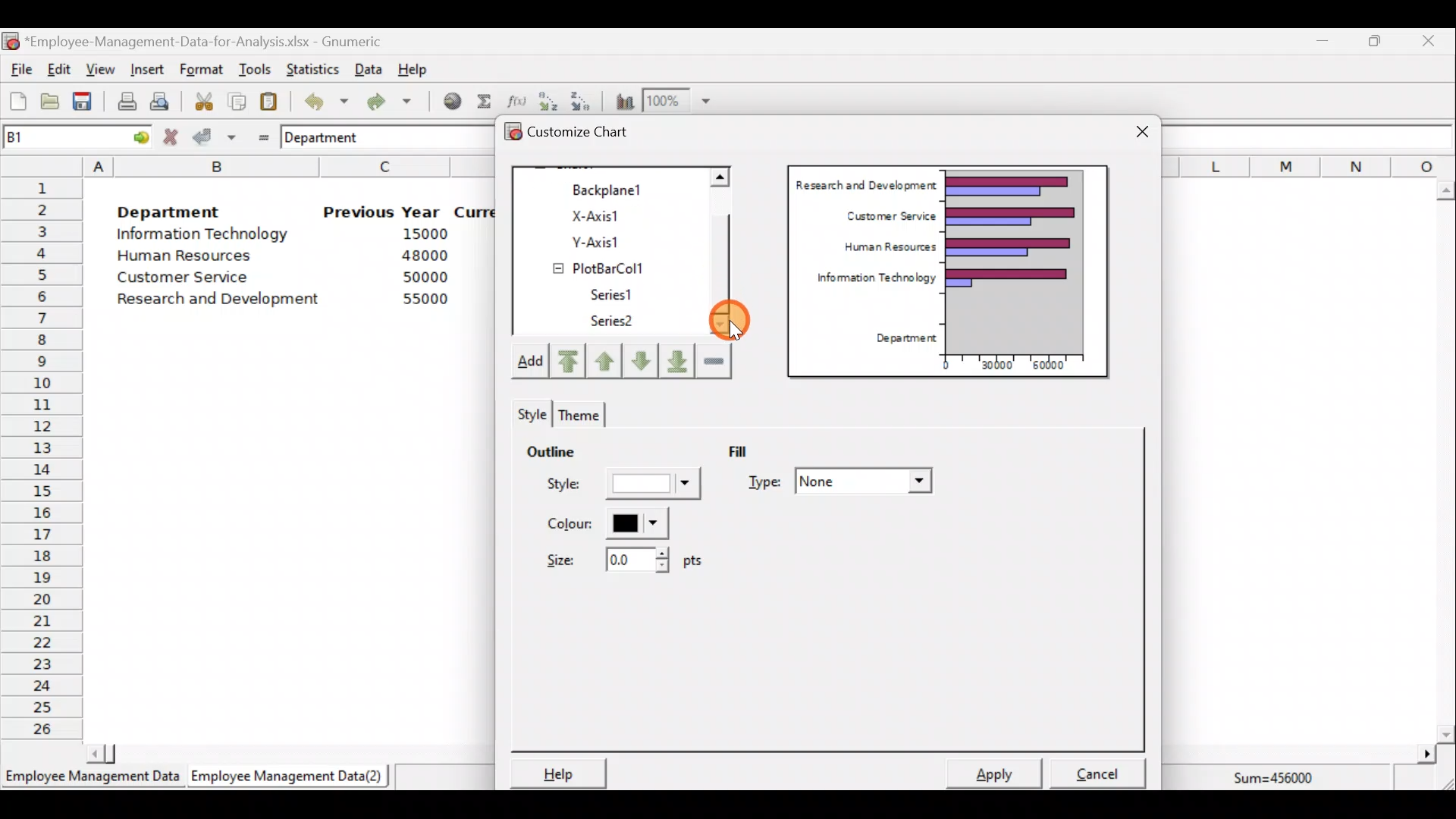 The image size is (1456, 819). I want to click on Employee Management Data, so click(91, 781).